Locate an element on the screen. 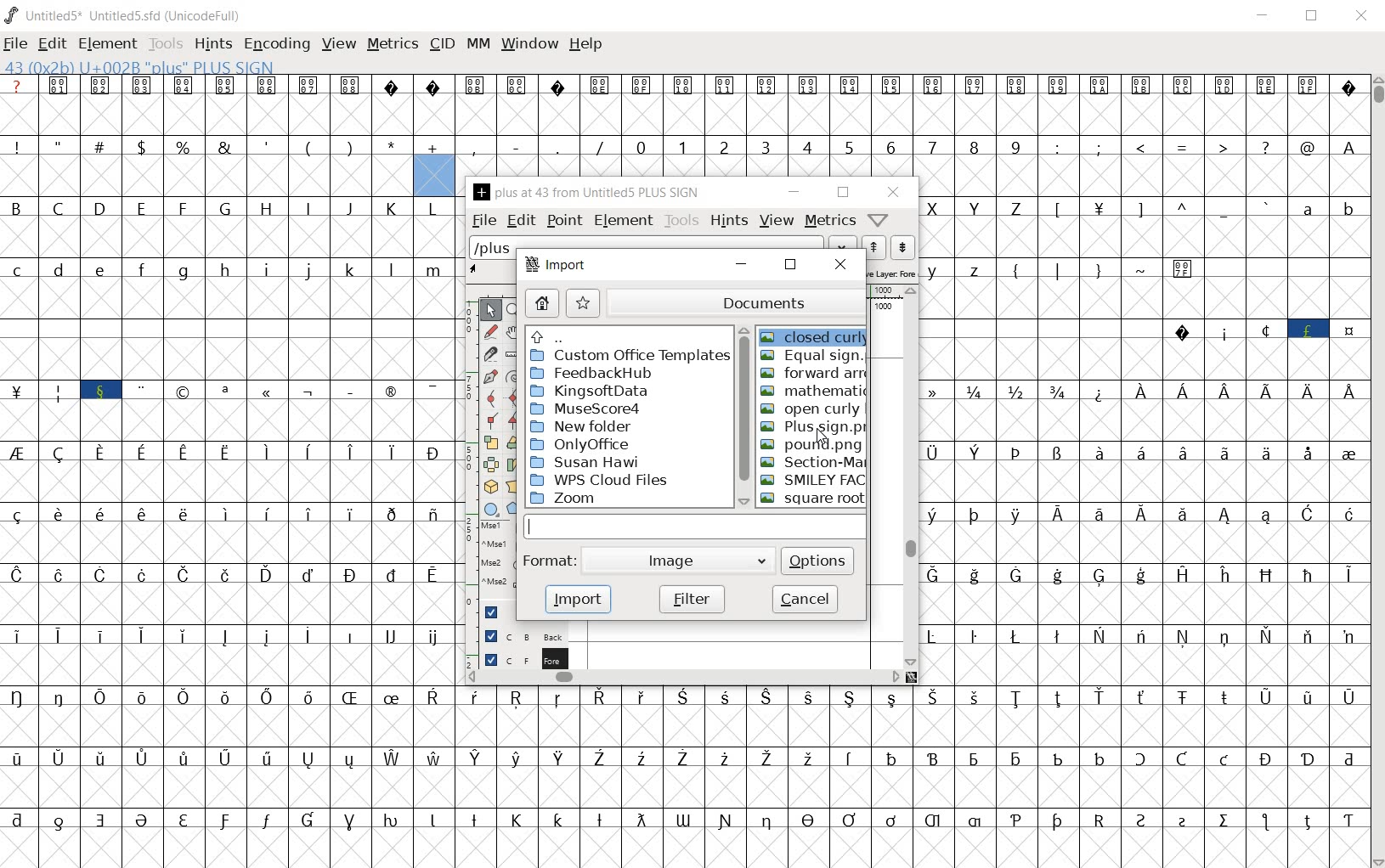  Latin extended characters is located at coordinates (1245, 412).